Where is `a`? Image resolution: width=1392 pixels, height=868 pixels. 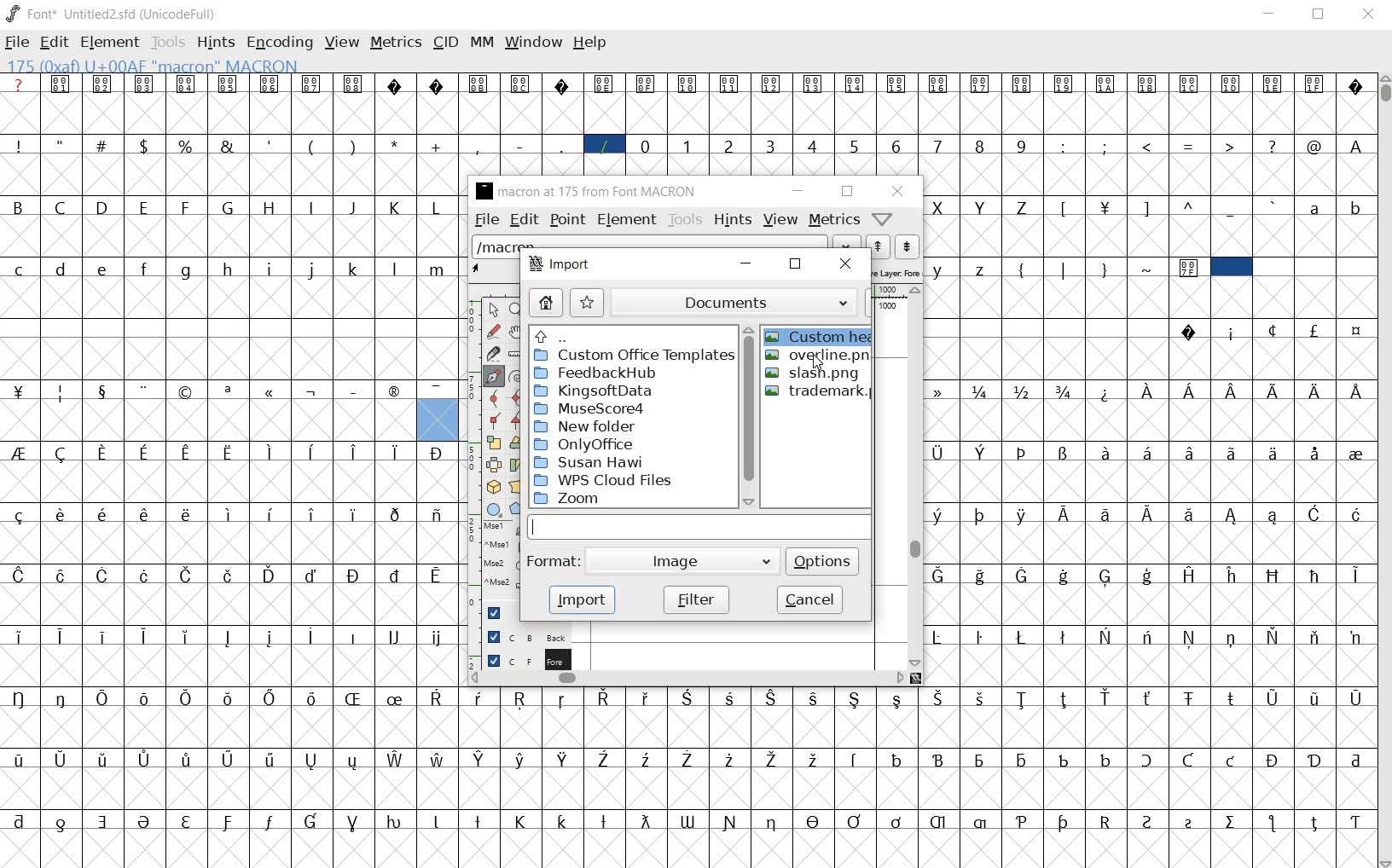 a is located at coordinates (1315, 209).